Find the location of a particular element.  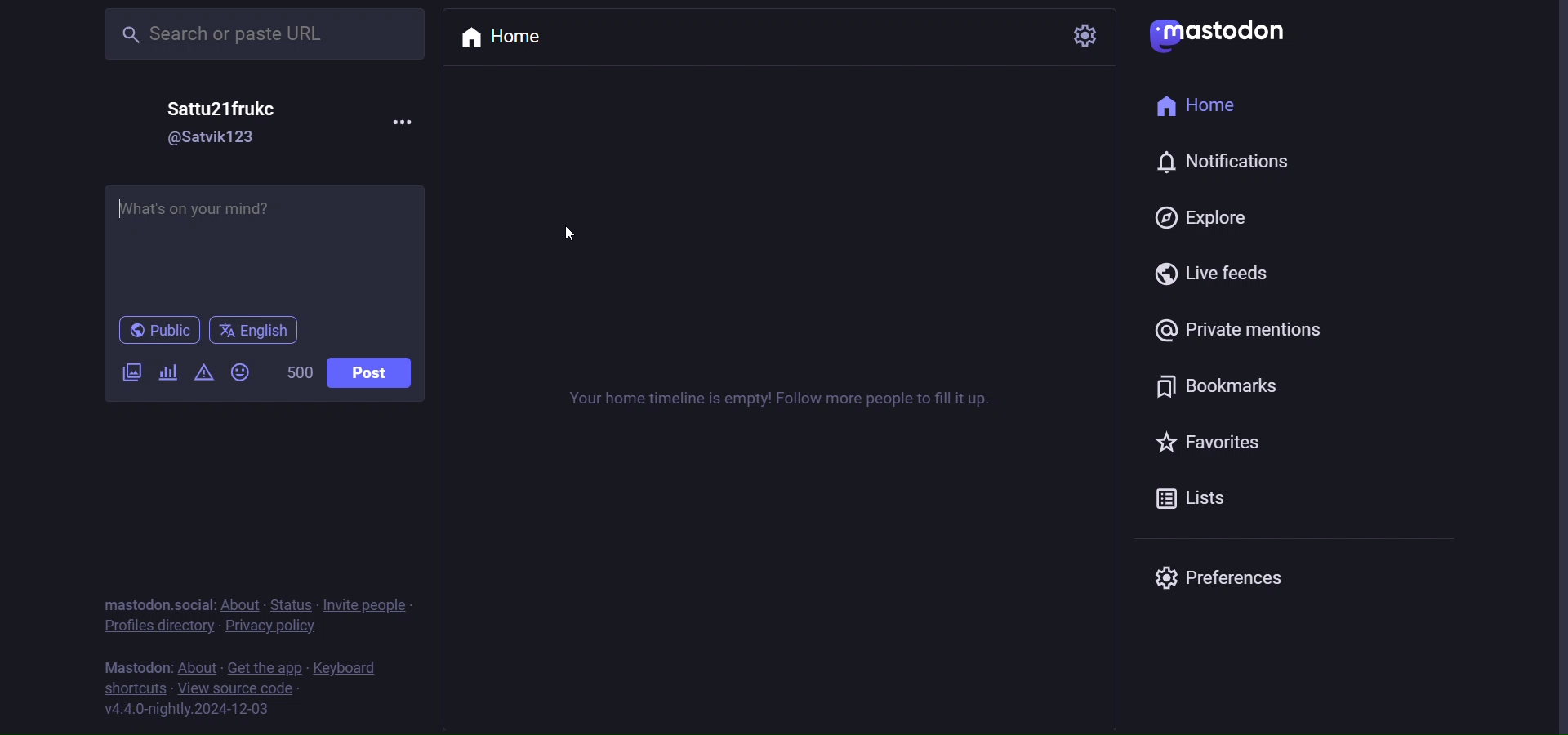

mastodon social is located at coordinates (154, 604).